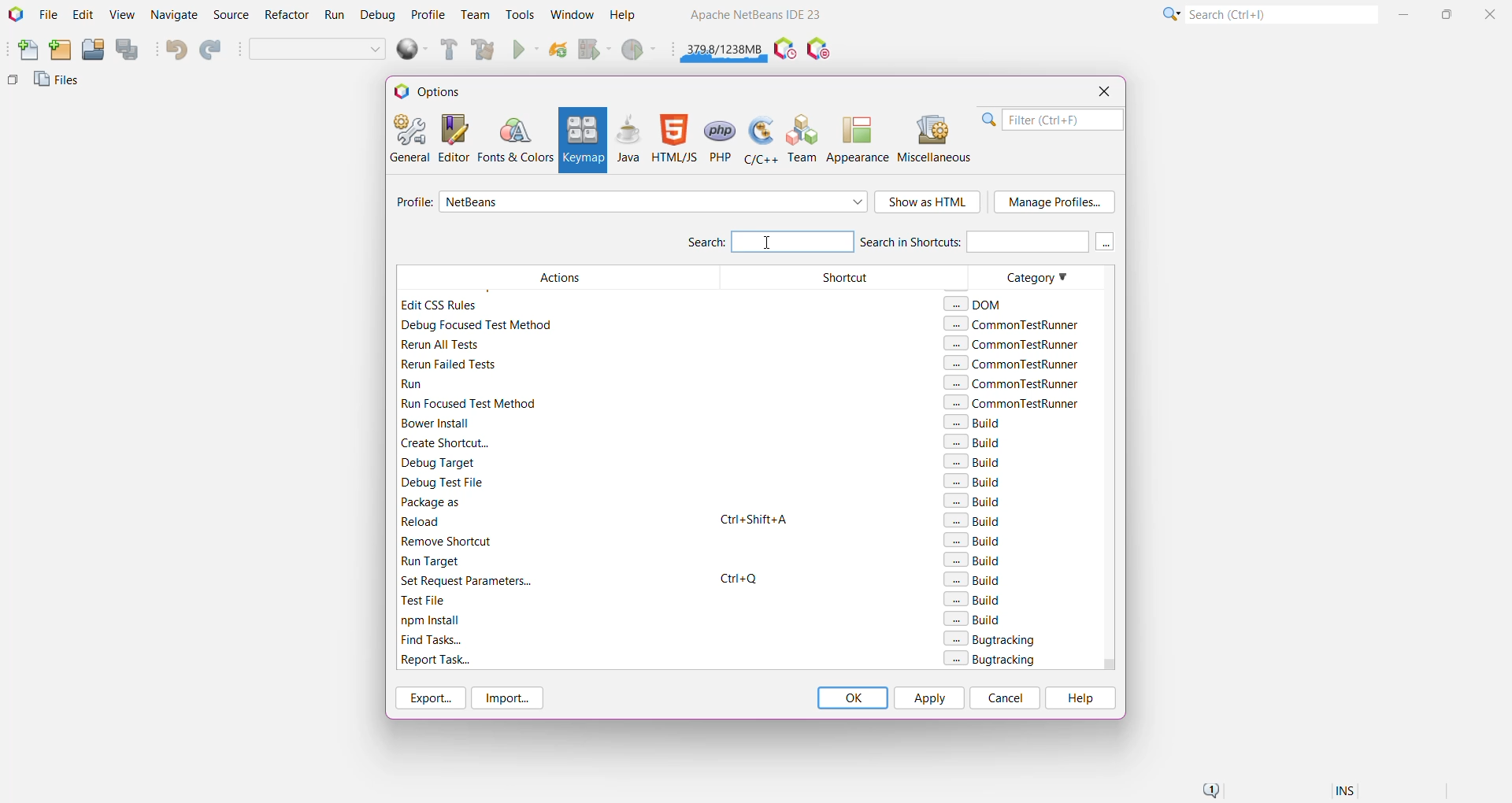  What do you see at coordinates (673, 139) in the screenshot?
I see `HTML/JS` at bounding box center [673, 139].